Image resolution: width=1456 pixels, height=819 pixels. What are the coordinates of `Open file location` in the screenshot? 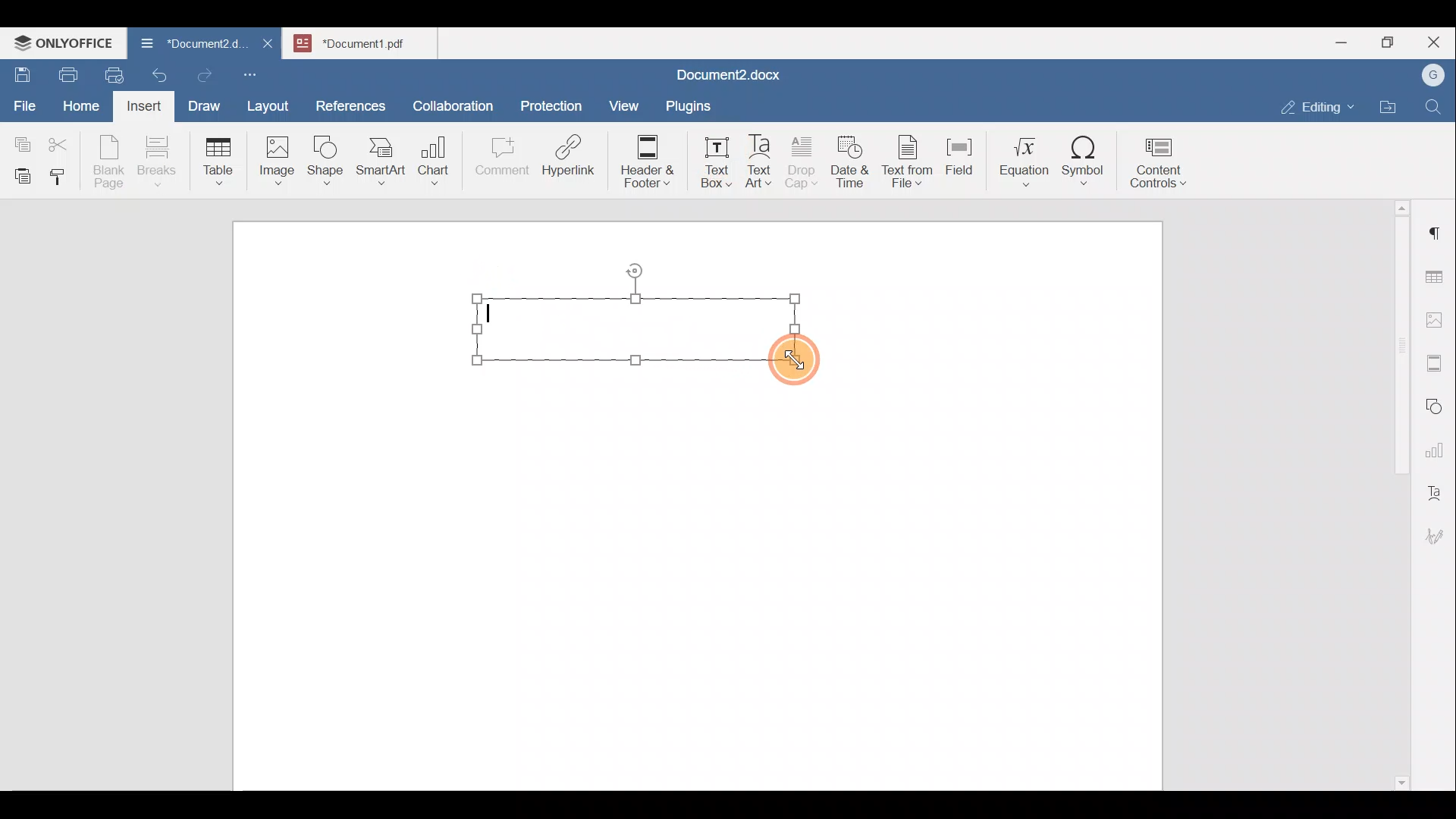 It's located at (1392, 108).